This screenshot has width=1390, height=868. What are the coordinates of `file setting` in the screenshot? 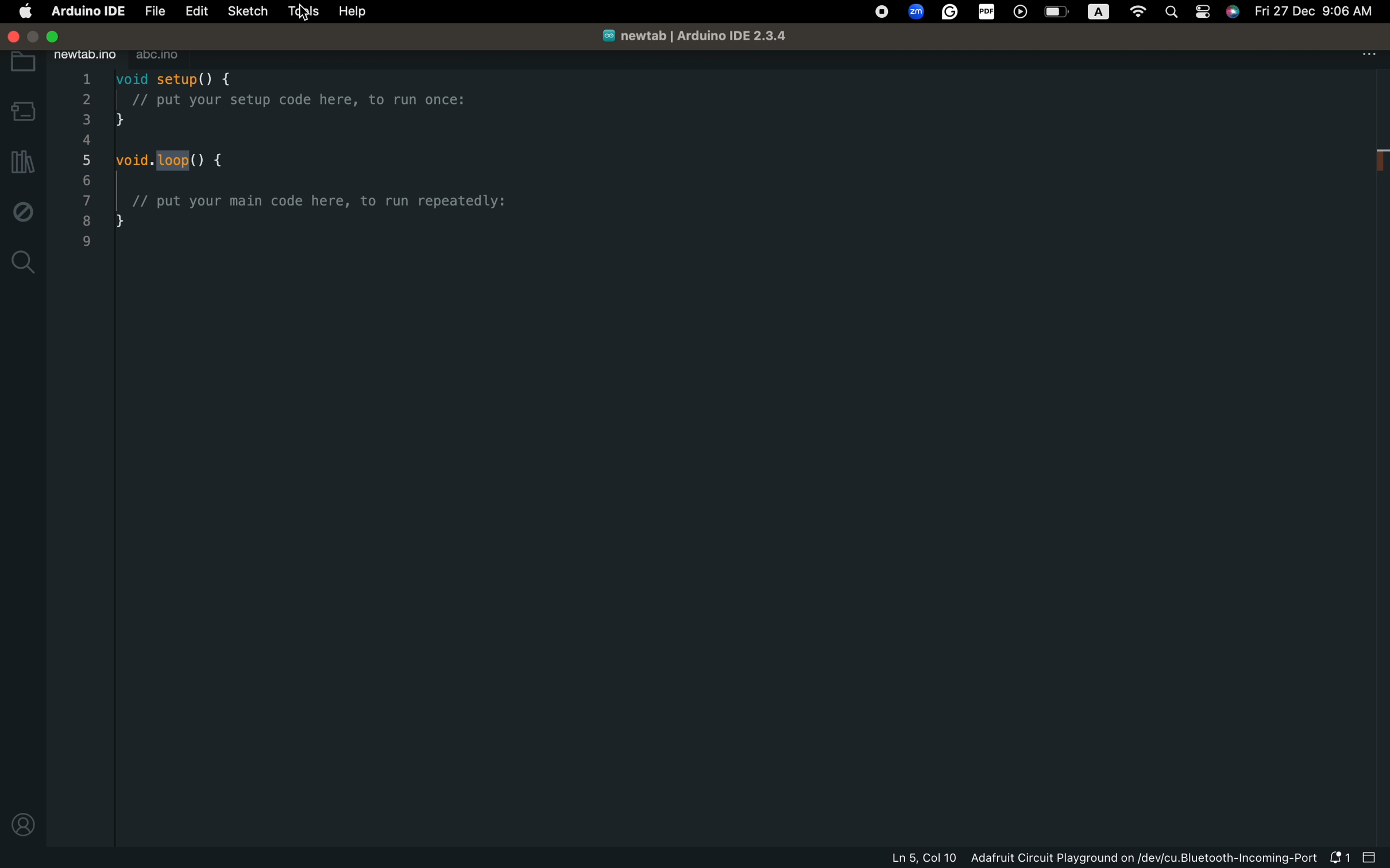 It's located at (1365, 54).